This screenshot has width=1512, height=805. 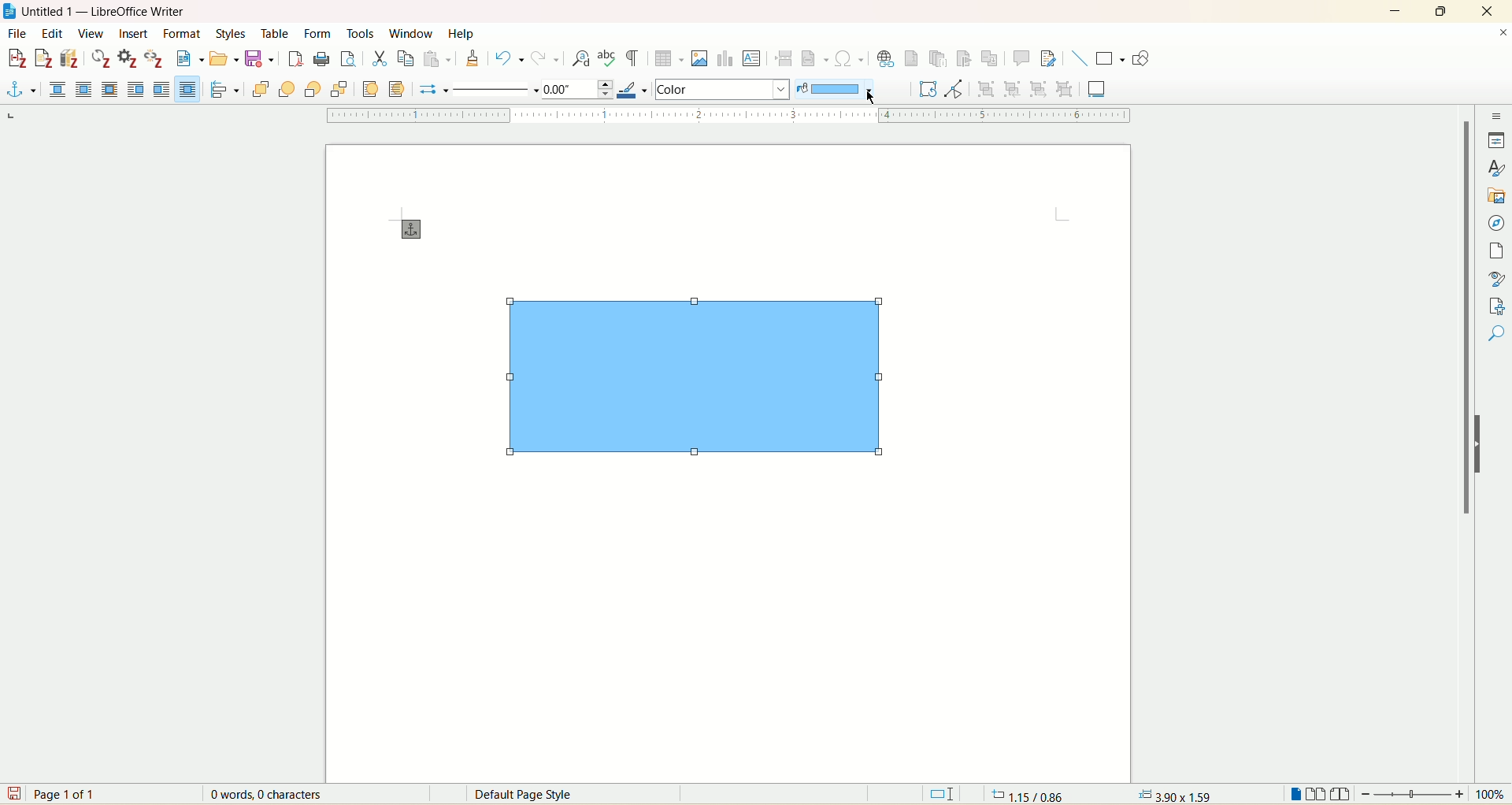 What do you see at coordinates (1038, 88) in the screenshot?
I see `exit group` at bounding box center [1038, 88].